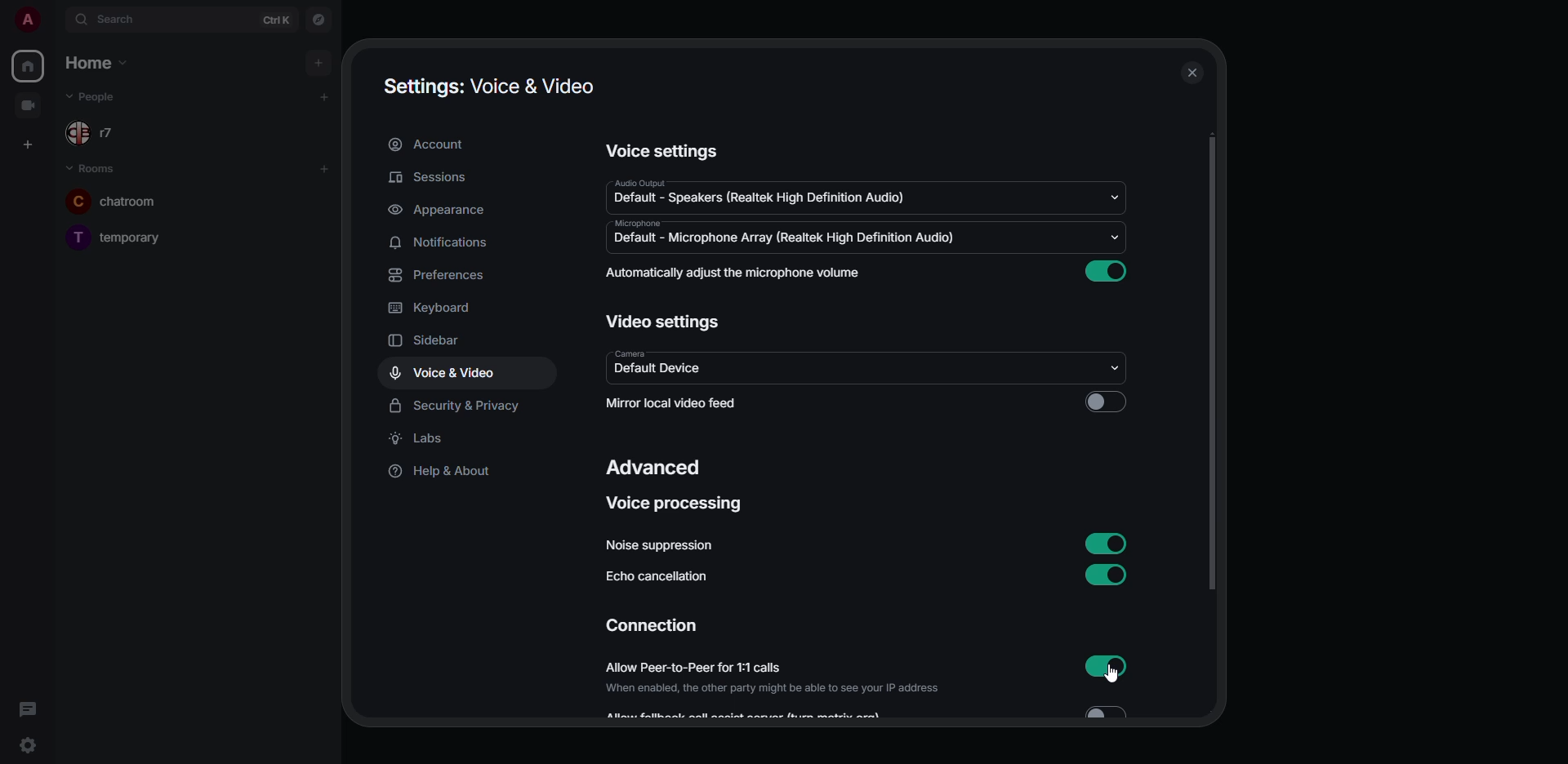 Image resolution: width=1568 pixels, height=764 pixels. Describe the element at coordinates (439, 342) in the screenshot. I see `sidebar` at that location.